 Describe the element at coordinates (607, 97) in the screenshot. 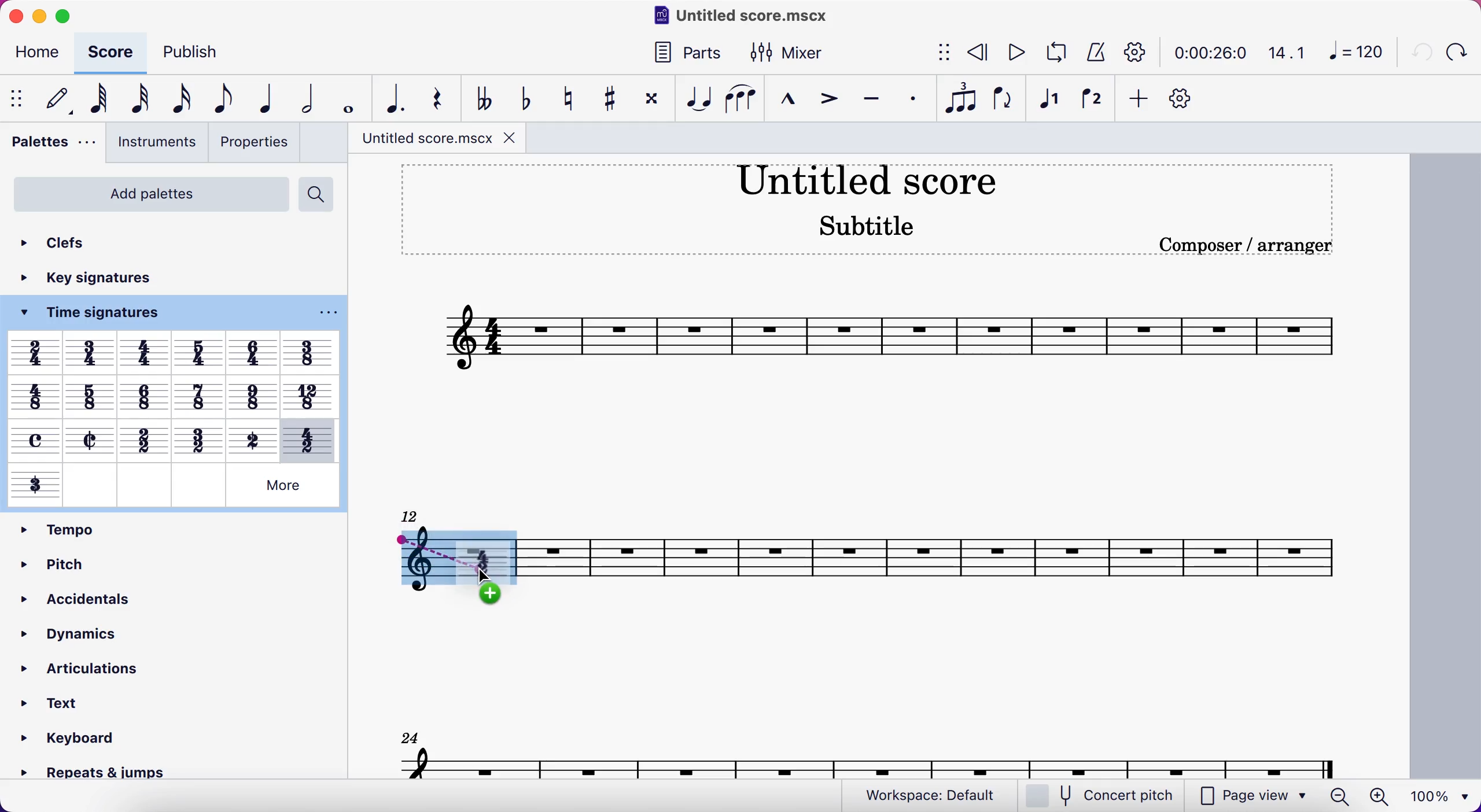

I see `toggle sharp` at that location.